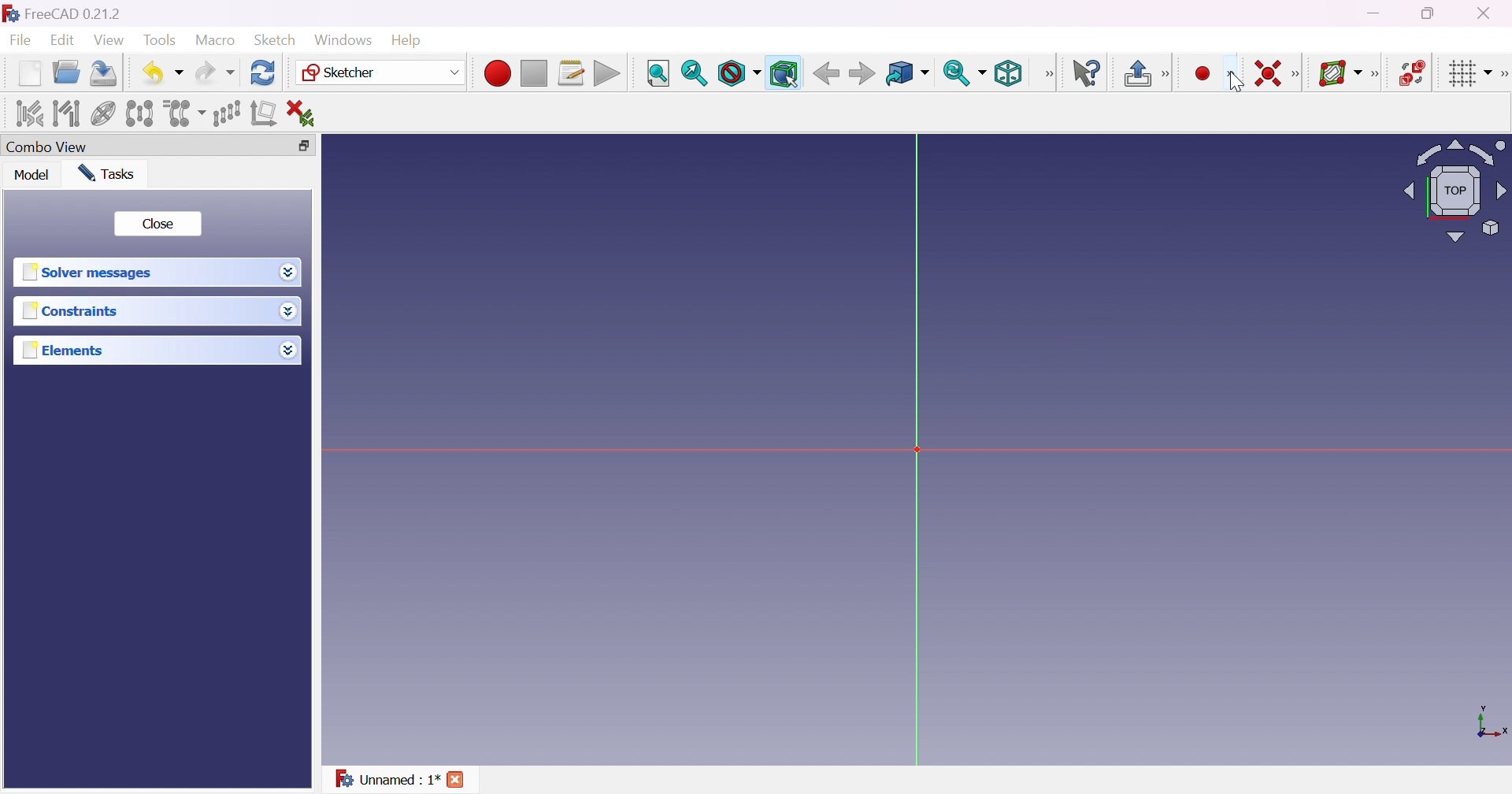 The image size is (1512, 794). What do you see at coordinates (1492, 13) in the screenshot?
I see `Close` at bounding box center [1492, 13].